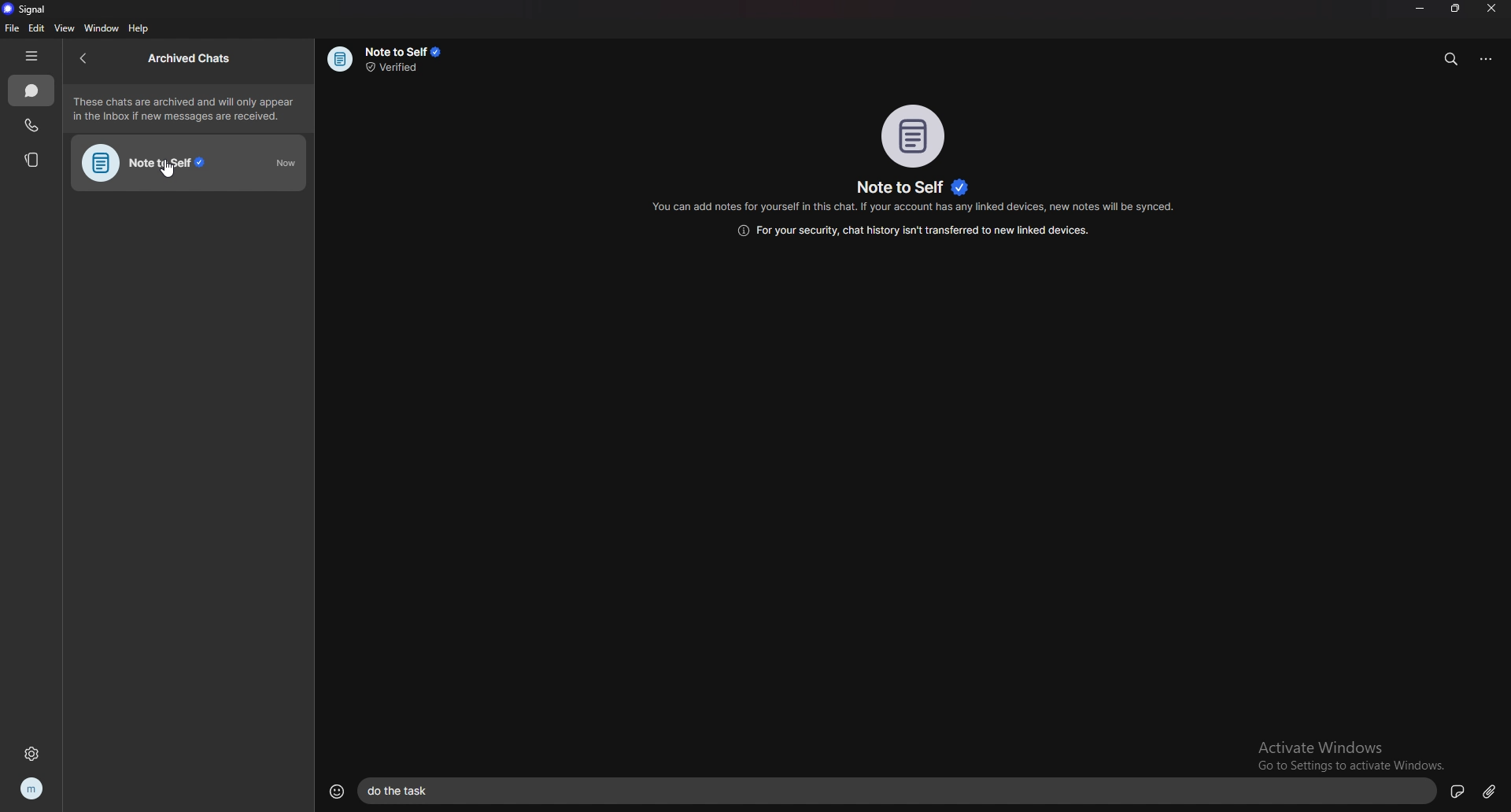  I want to click on cursor, so click(168, 169).